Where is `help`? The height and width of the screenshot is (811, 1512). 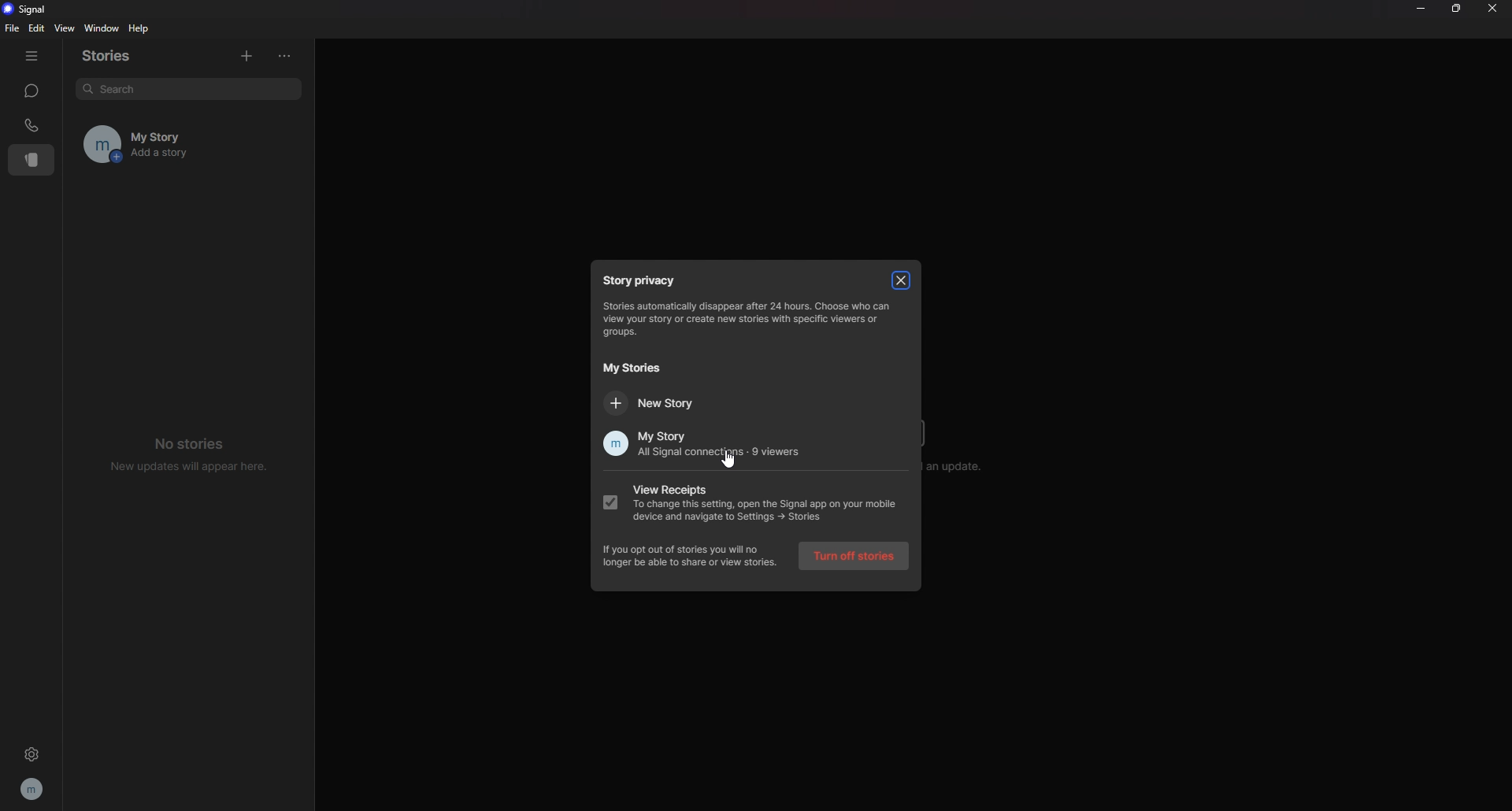 help is located at coordinates (140, 28).